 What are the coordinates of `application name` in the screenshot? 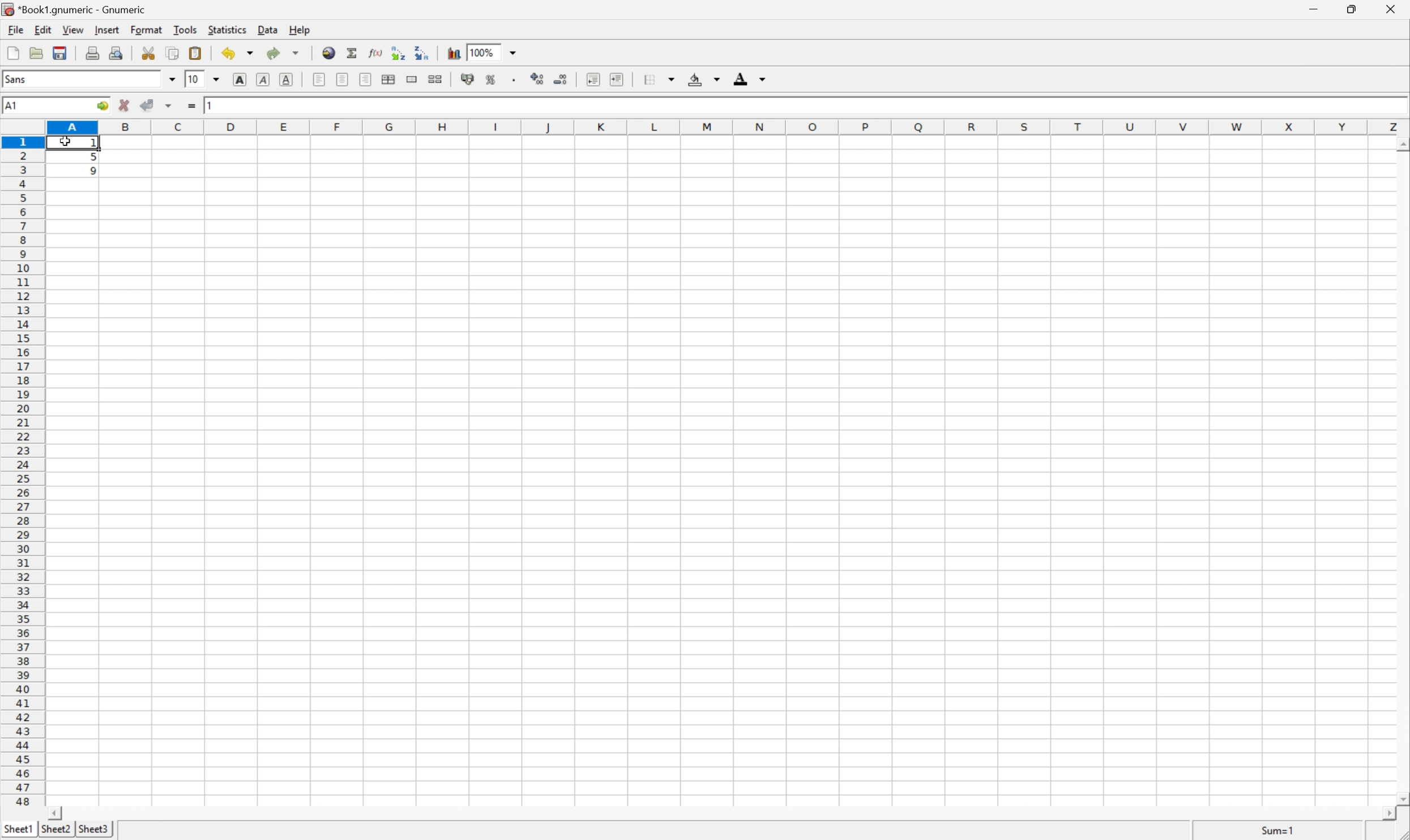 It's located at (78, 8).